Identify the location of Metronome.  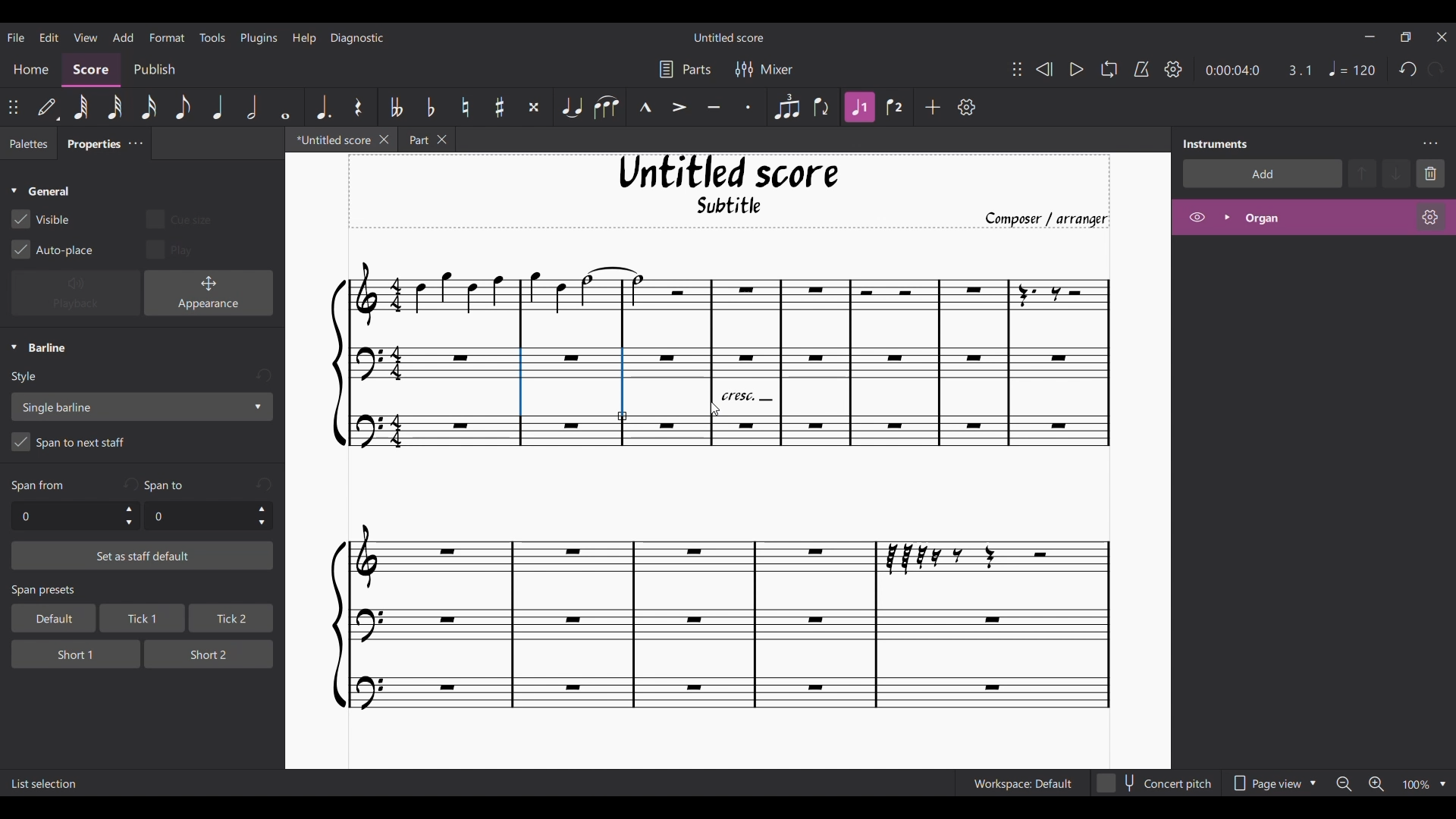
(1141, 69).